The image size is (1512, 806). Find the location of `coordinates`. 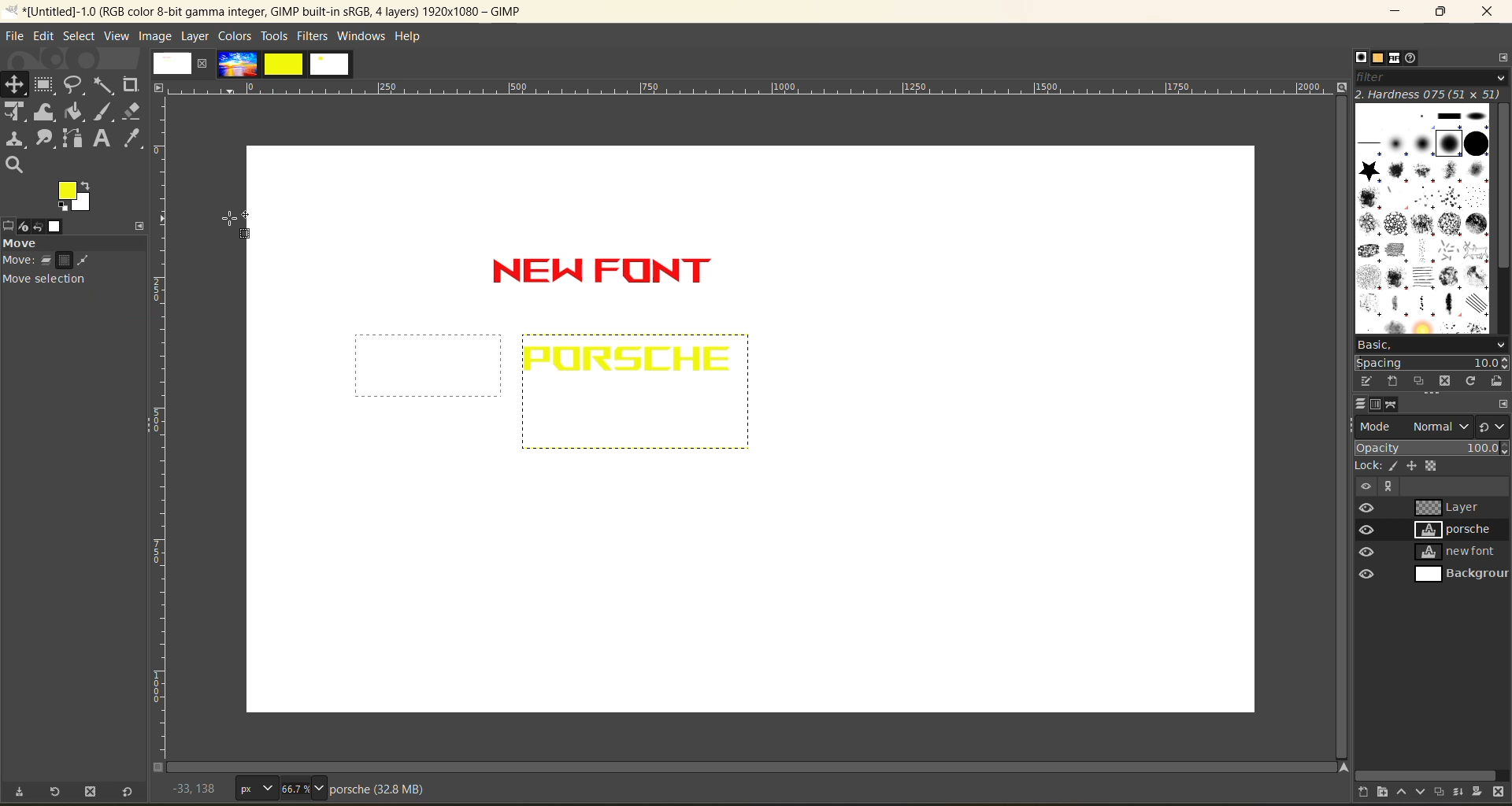

coordinates is located at coordinates (192, 788).